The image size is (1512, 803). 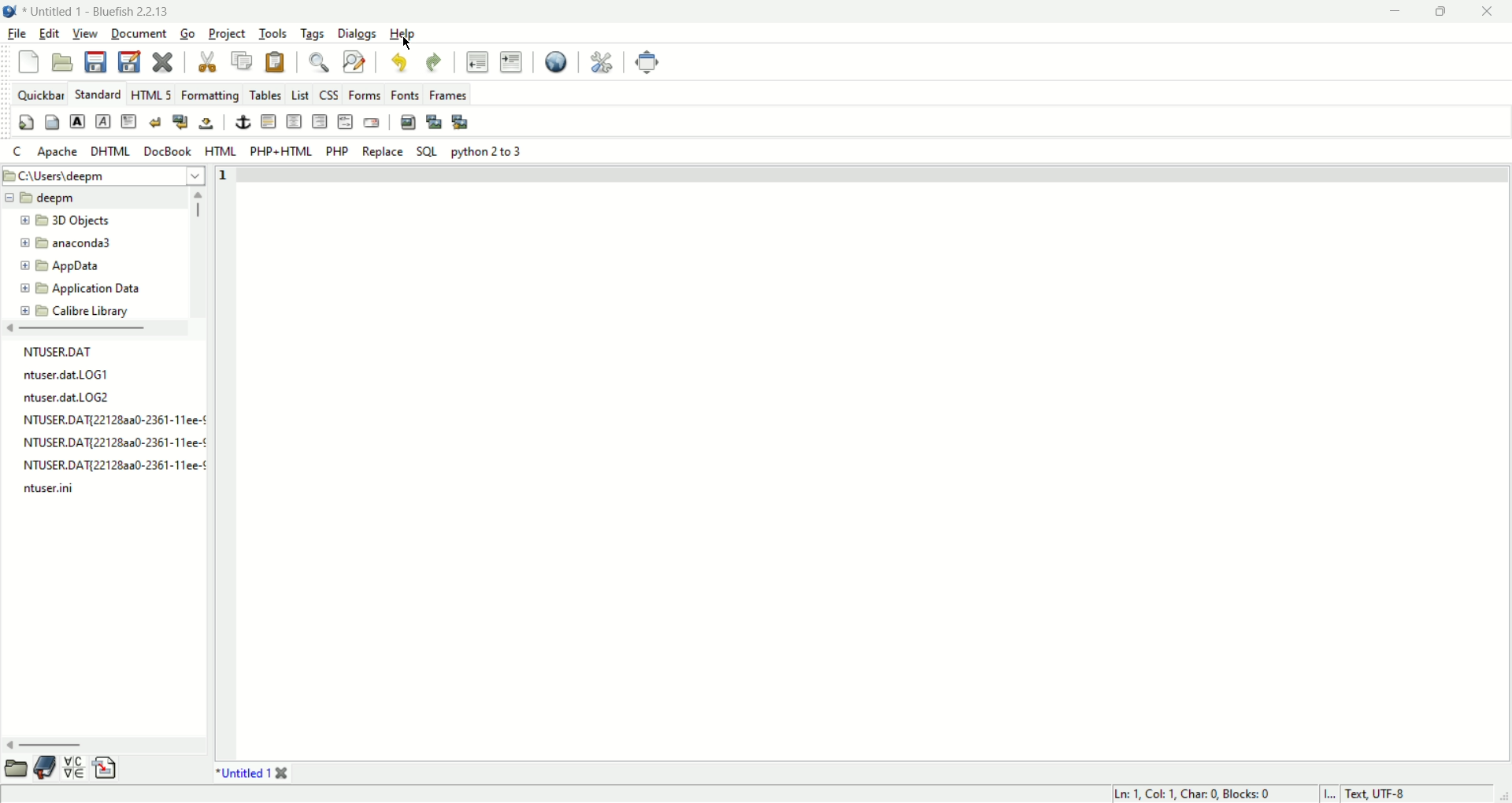 What do you see at coordinates (131, 61) in the screenshot?
I see `save as` at bounding box center [131, 61].